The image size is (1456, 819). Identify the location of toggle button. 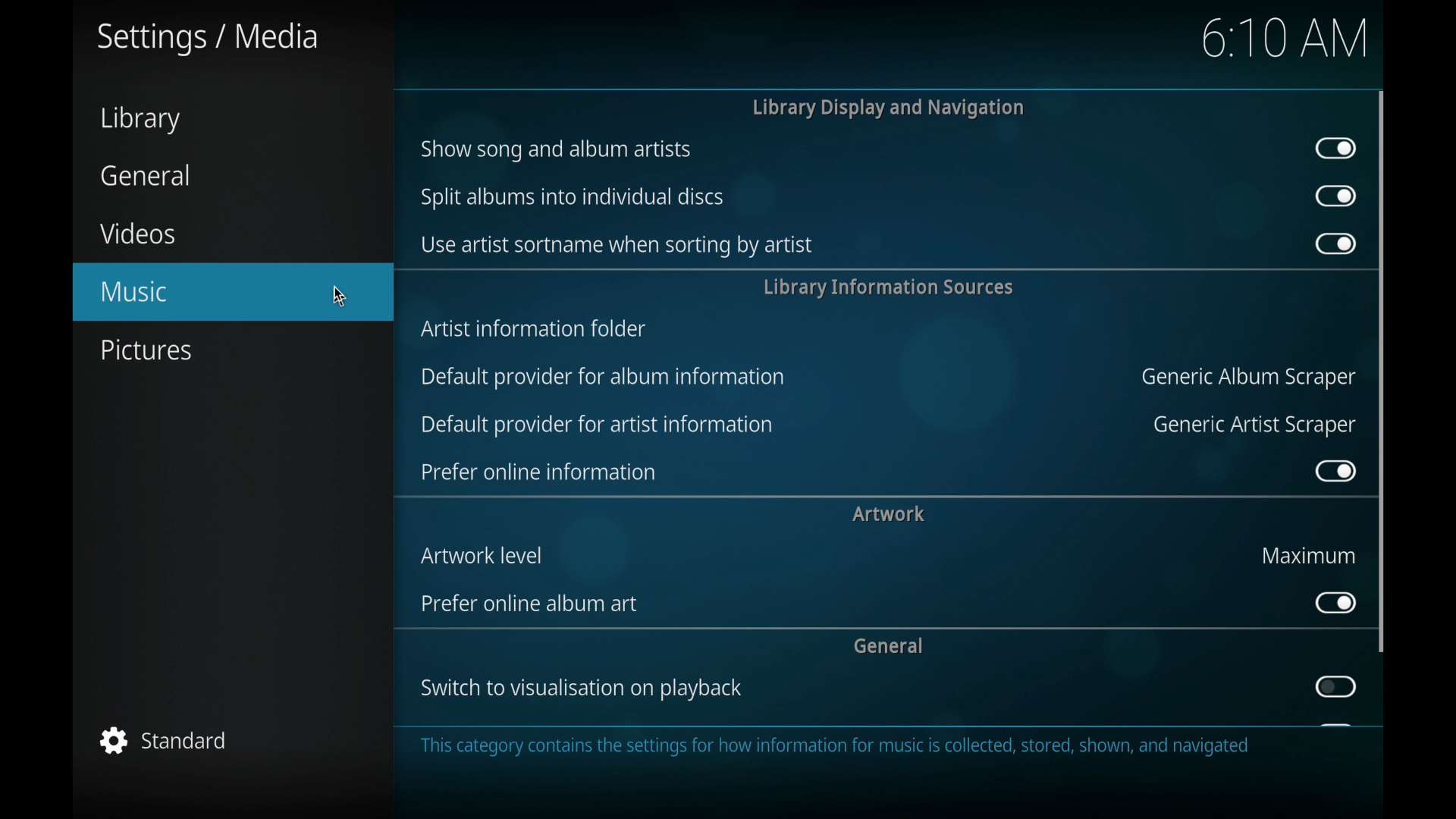
(1334, 243).